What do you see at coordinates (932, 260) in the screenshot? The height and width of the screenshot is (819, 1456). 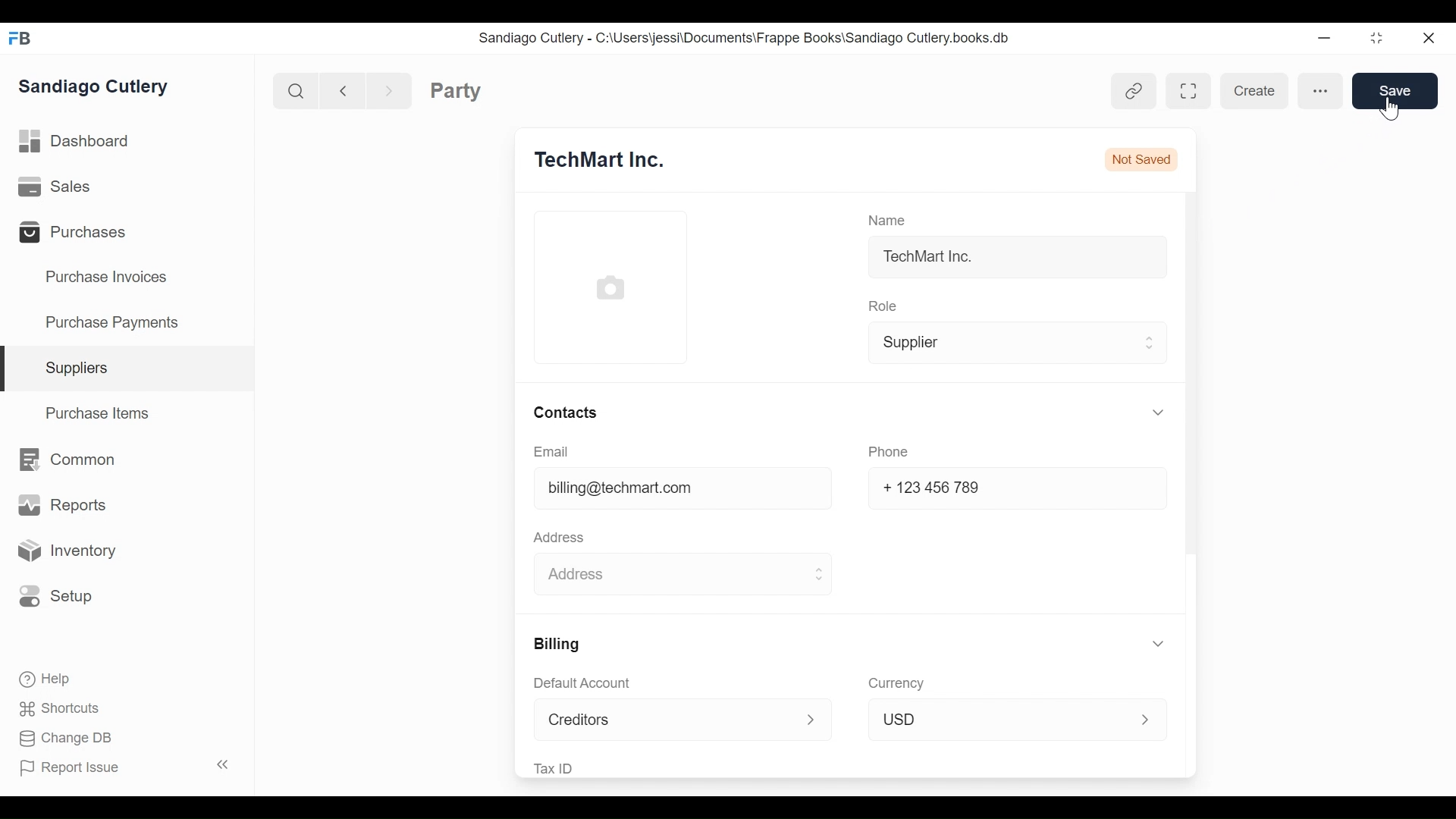 I see `TechMart Inc.` at bounding box center [932, 260].